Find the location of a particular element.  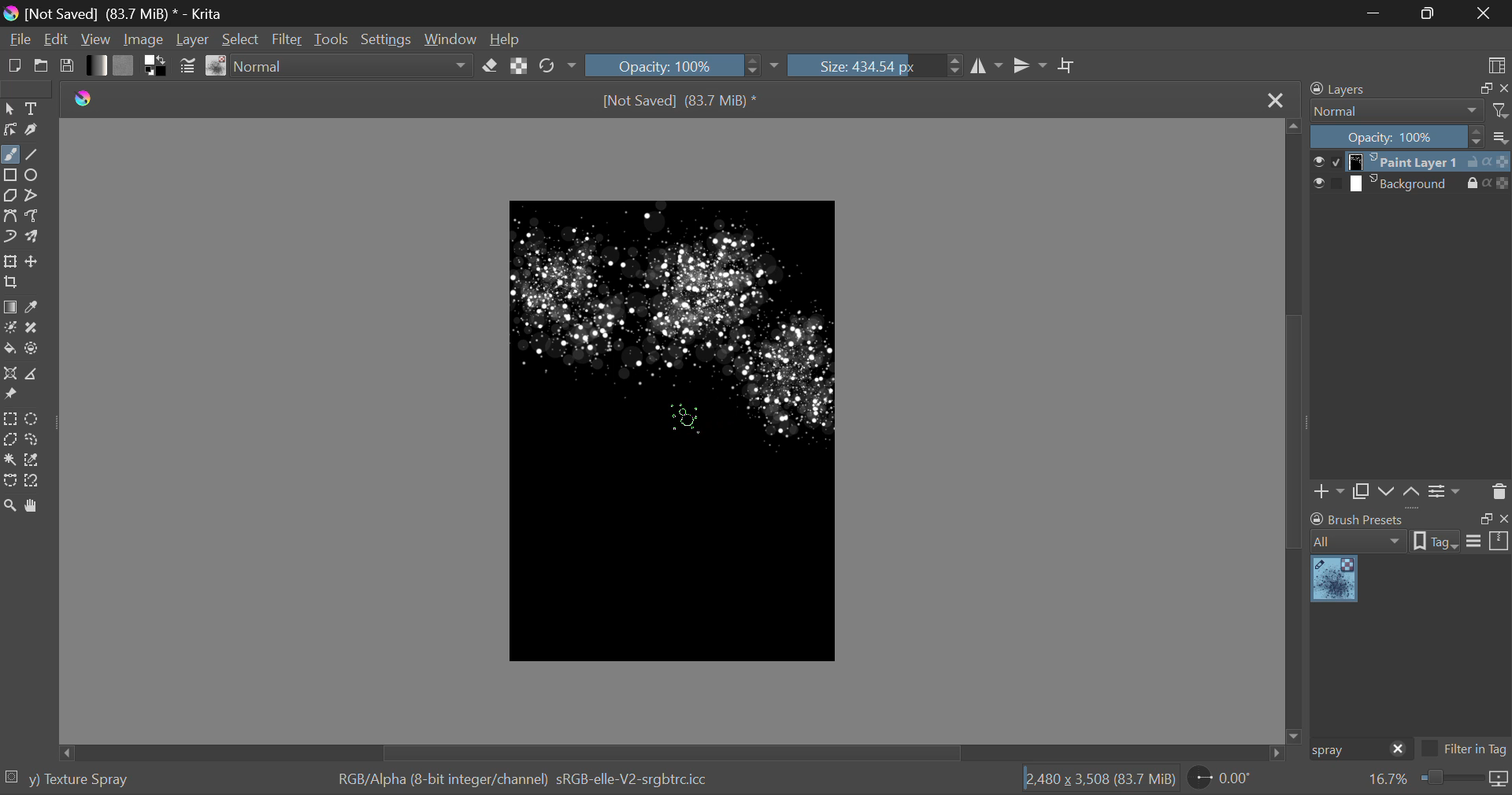

filters icon is located at coordinates (1501, 109).